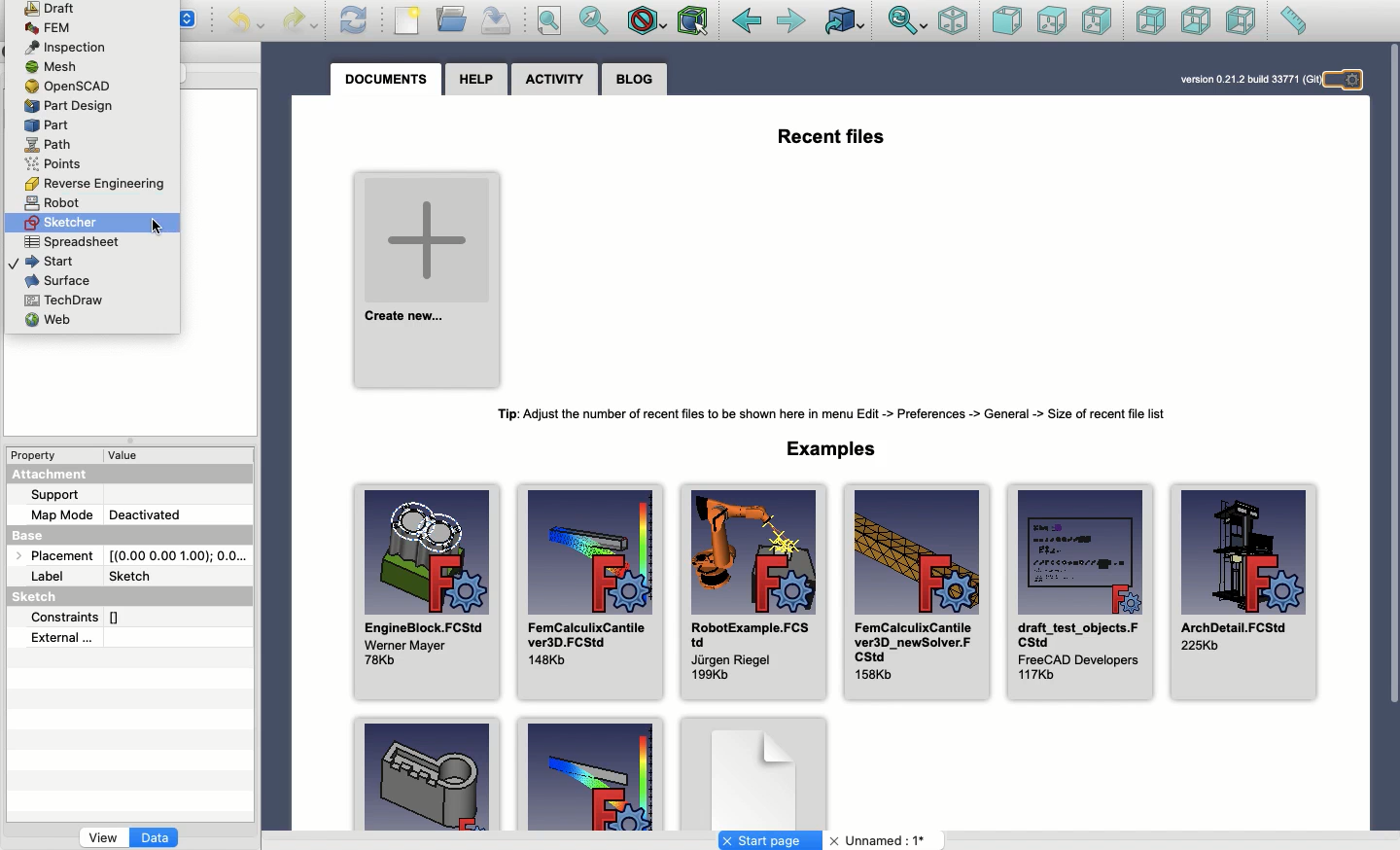 The width and height of the screenshot is (1400, 850). What do you see at coordinates (881, 841) in the screenshot?
I see `Unnamed` at bounding box center [881, 841].